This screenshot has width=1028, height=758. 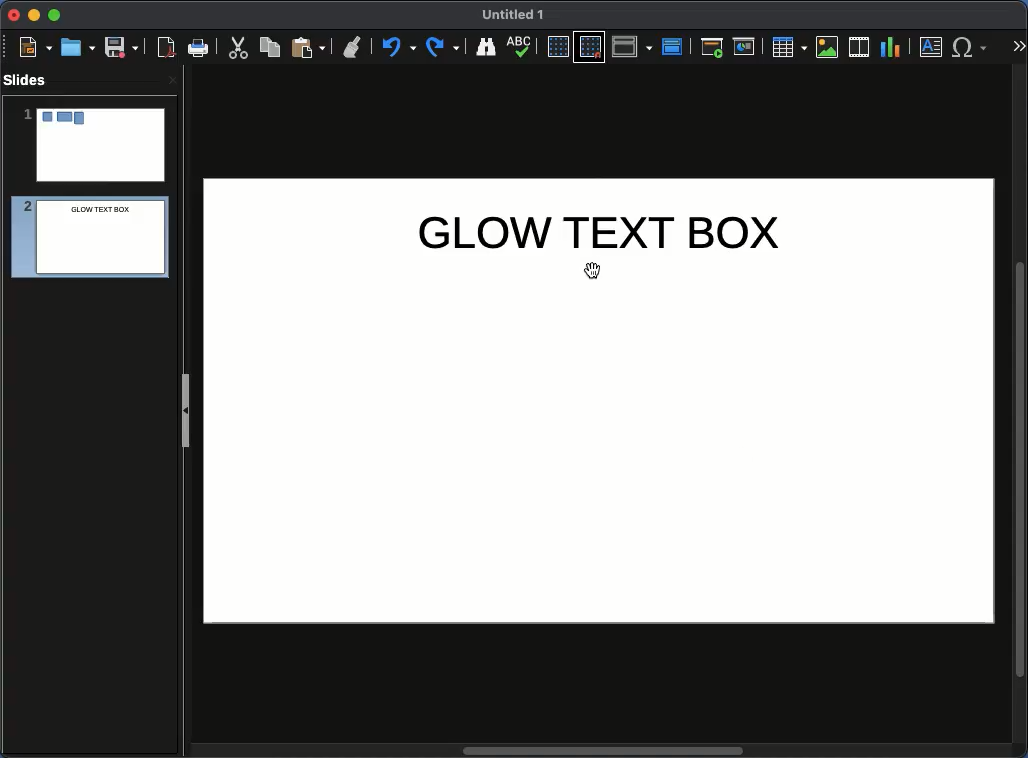 I want to click on Maximize, so click(x=55, y=17).